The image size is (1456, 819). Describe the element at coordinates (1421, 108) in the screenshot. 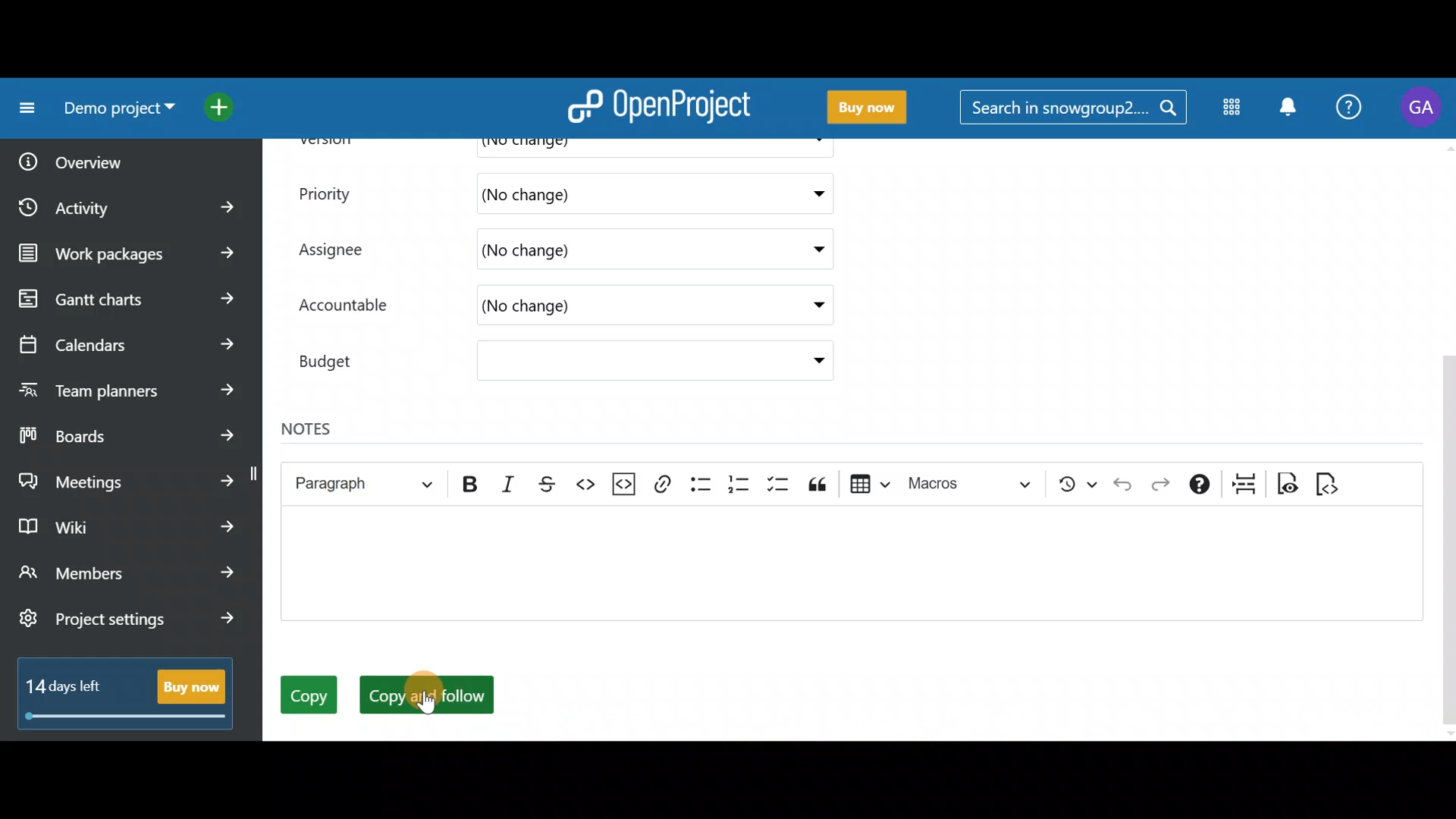

I see `Account name` at that location.